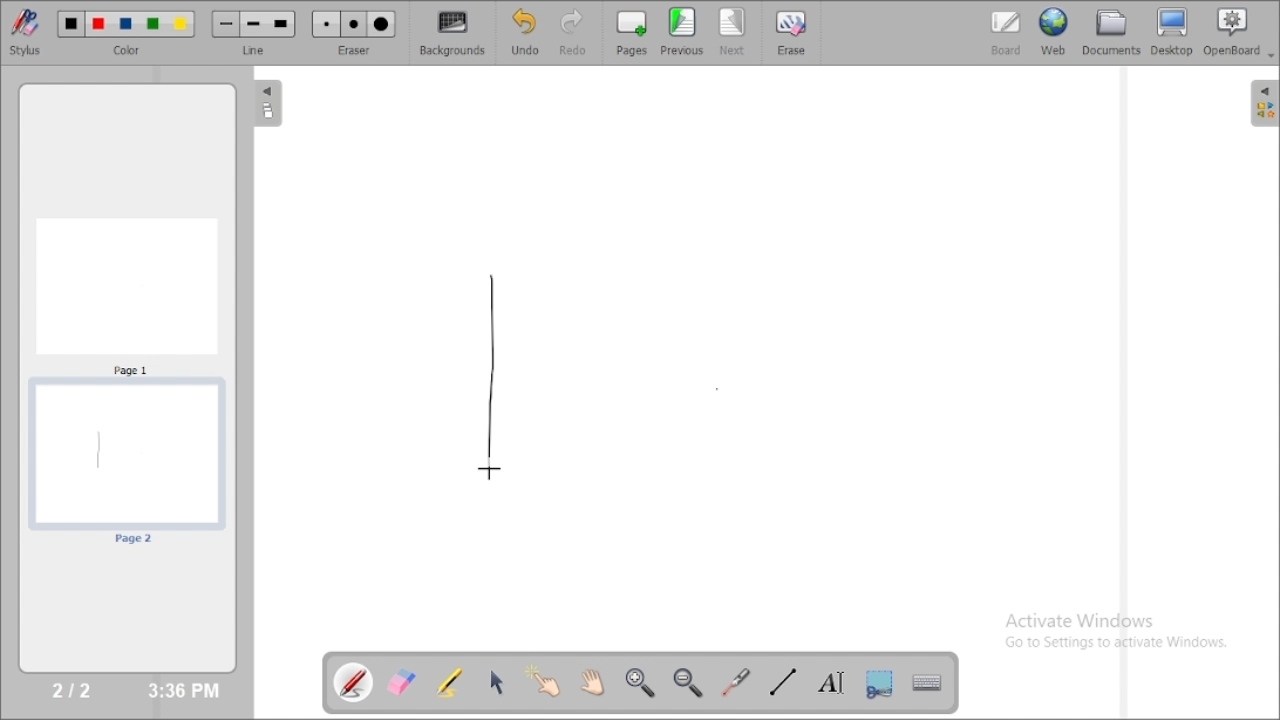 This screenshot has height=720, width=1280. I want to click on write text, so click(831, 683).